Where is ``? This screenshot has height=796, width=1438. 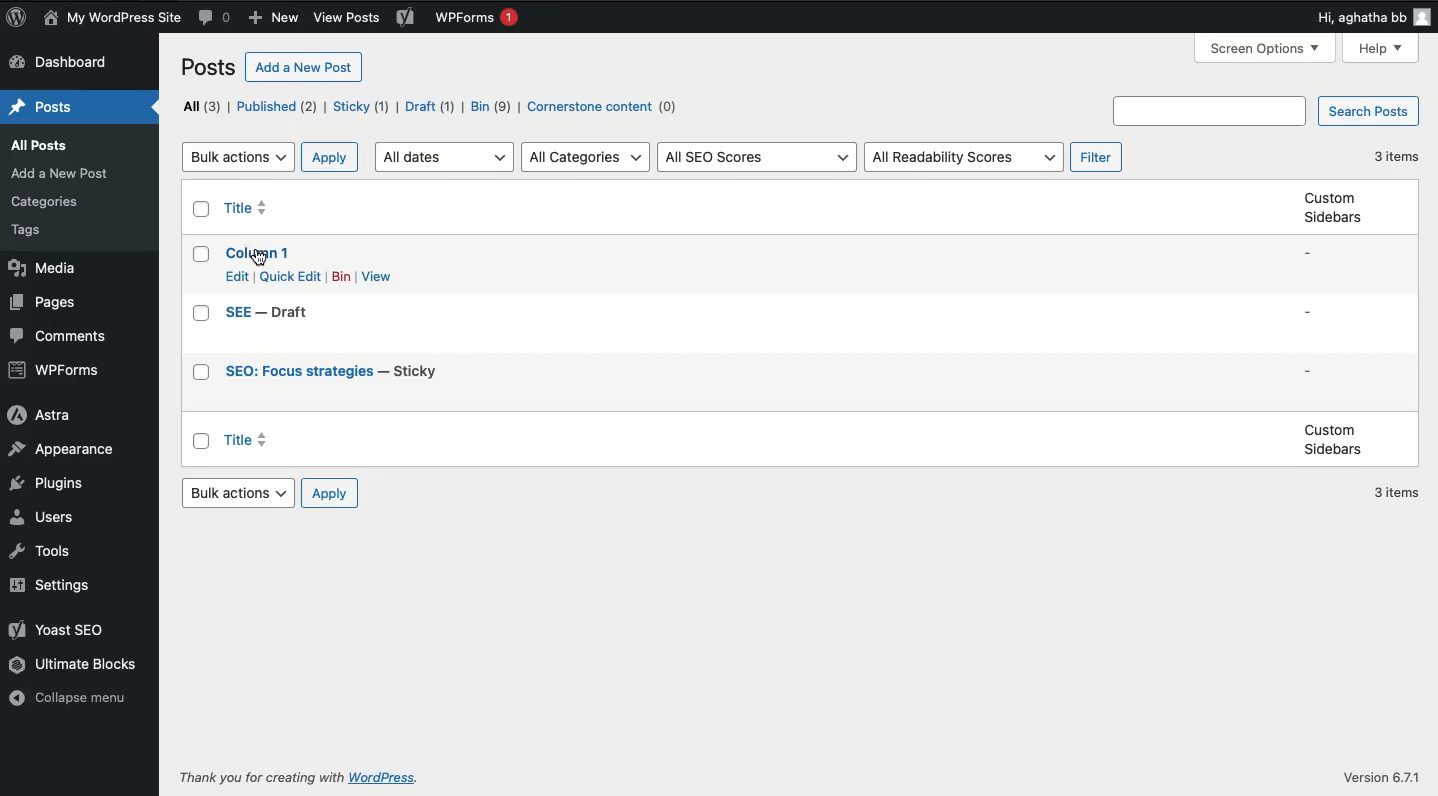  is located at coordinates (61, 62).